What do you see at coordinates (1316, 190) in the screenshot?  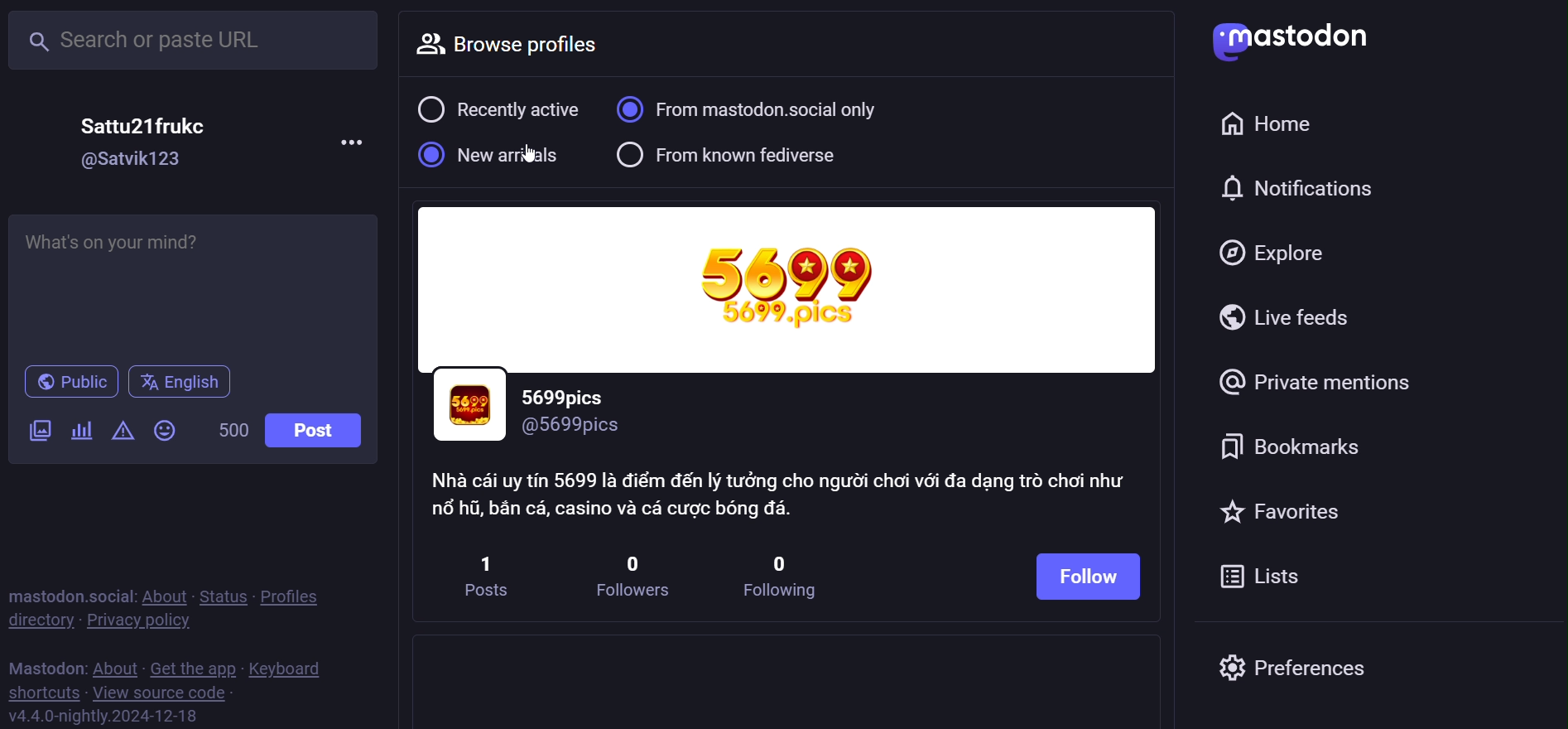 I see `notifications` at bounding box center [1316, 190].